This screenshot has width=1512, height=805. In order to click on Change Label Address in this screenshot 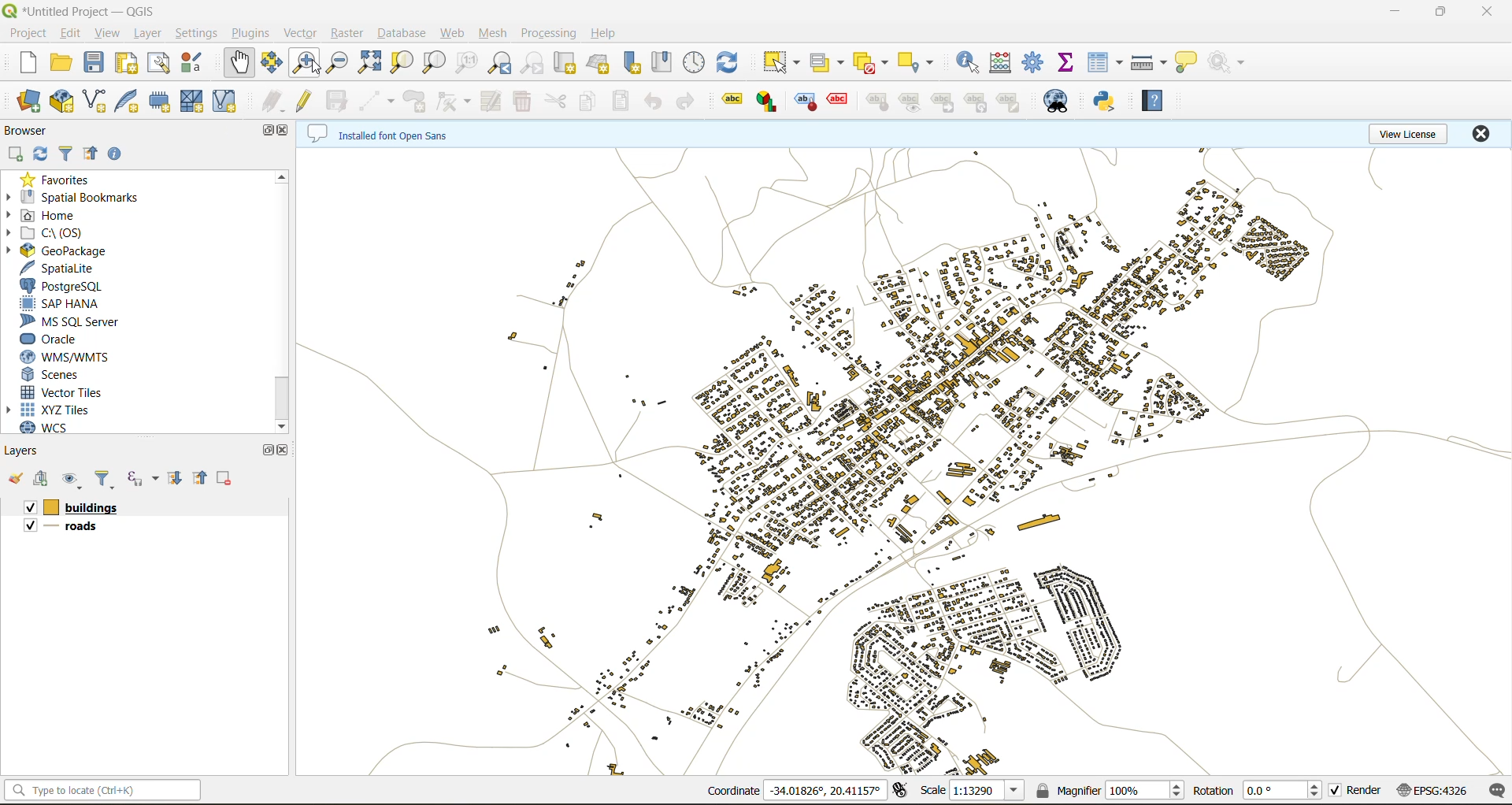, I will do `click(878, 105)`.